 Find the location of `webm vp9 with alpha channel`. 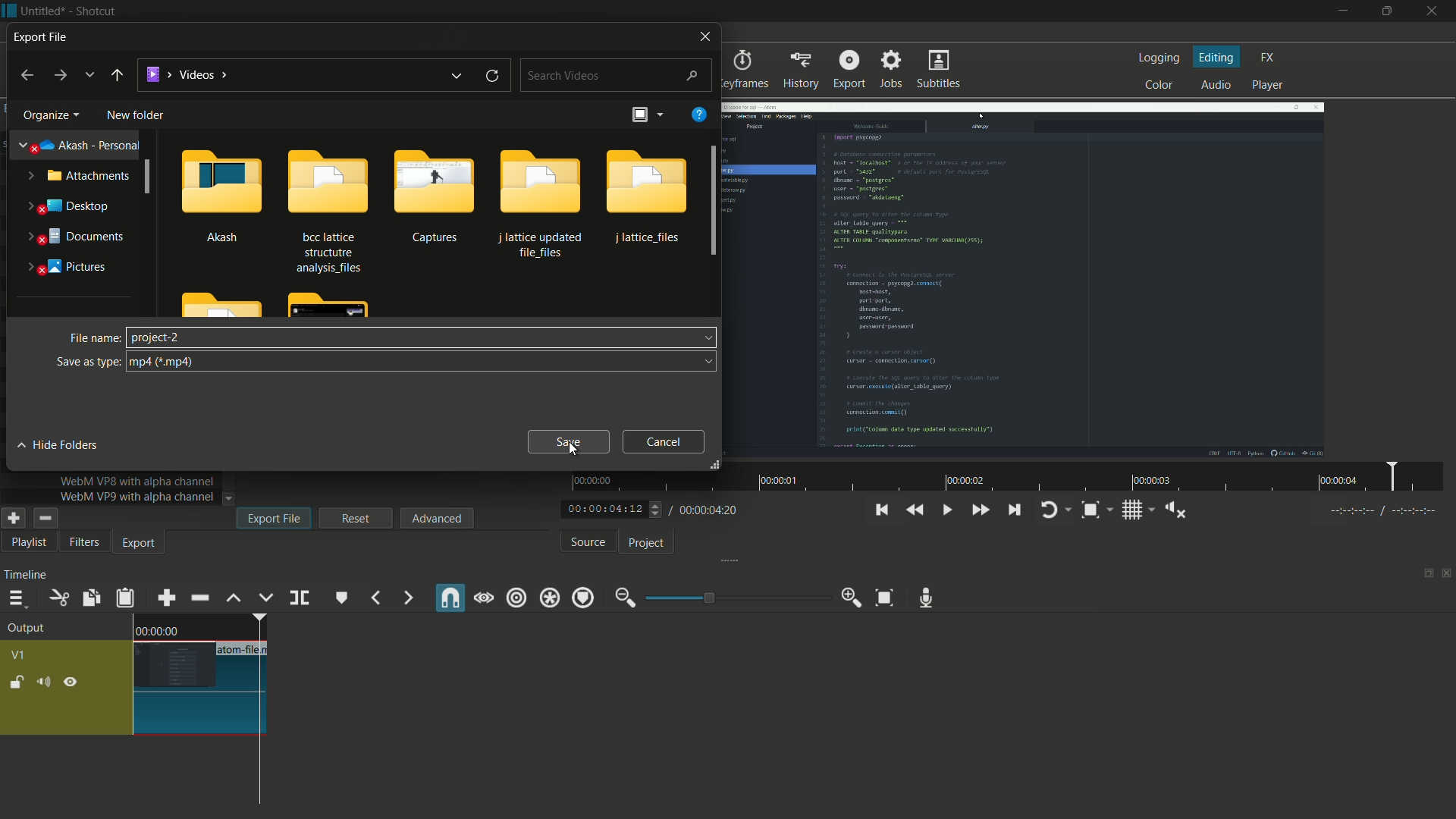

webm vp9 with alpha channel is located at coordinates (137, 497).